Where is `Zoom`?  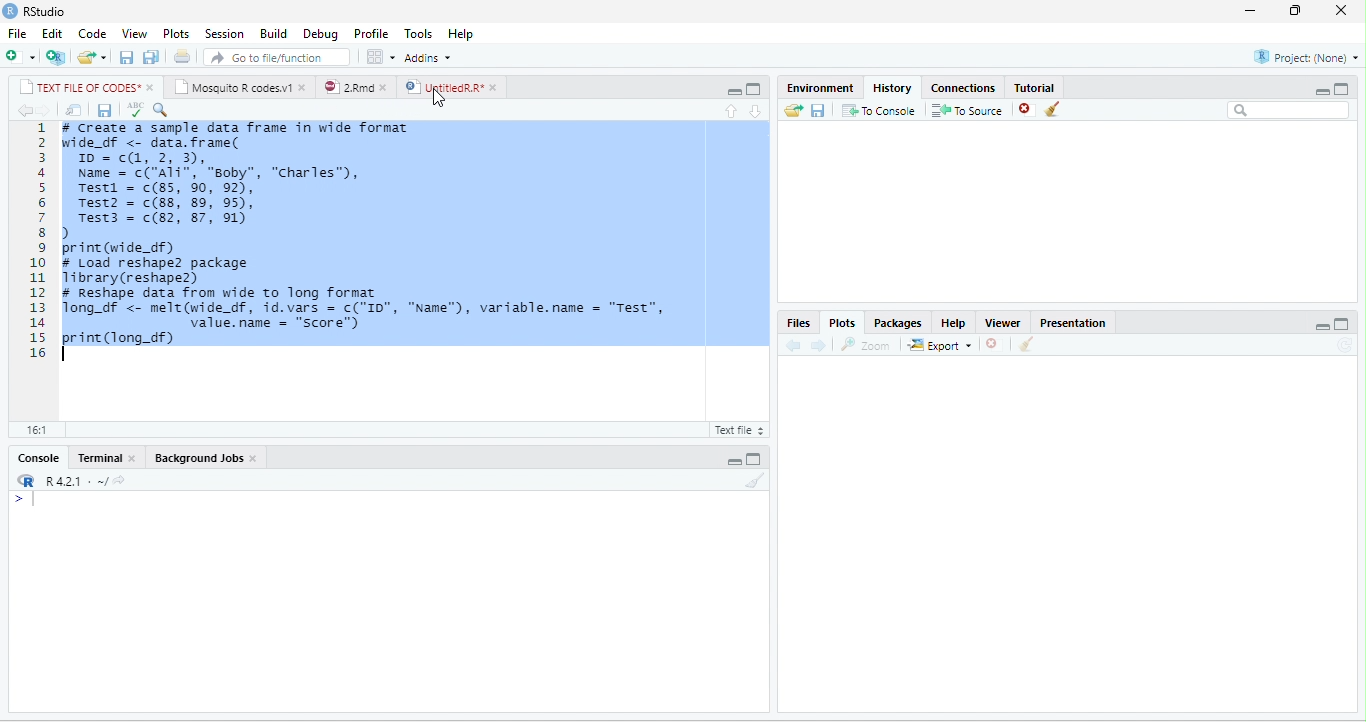 Zoom is located at coordinates (866, 345).